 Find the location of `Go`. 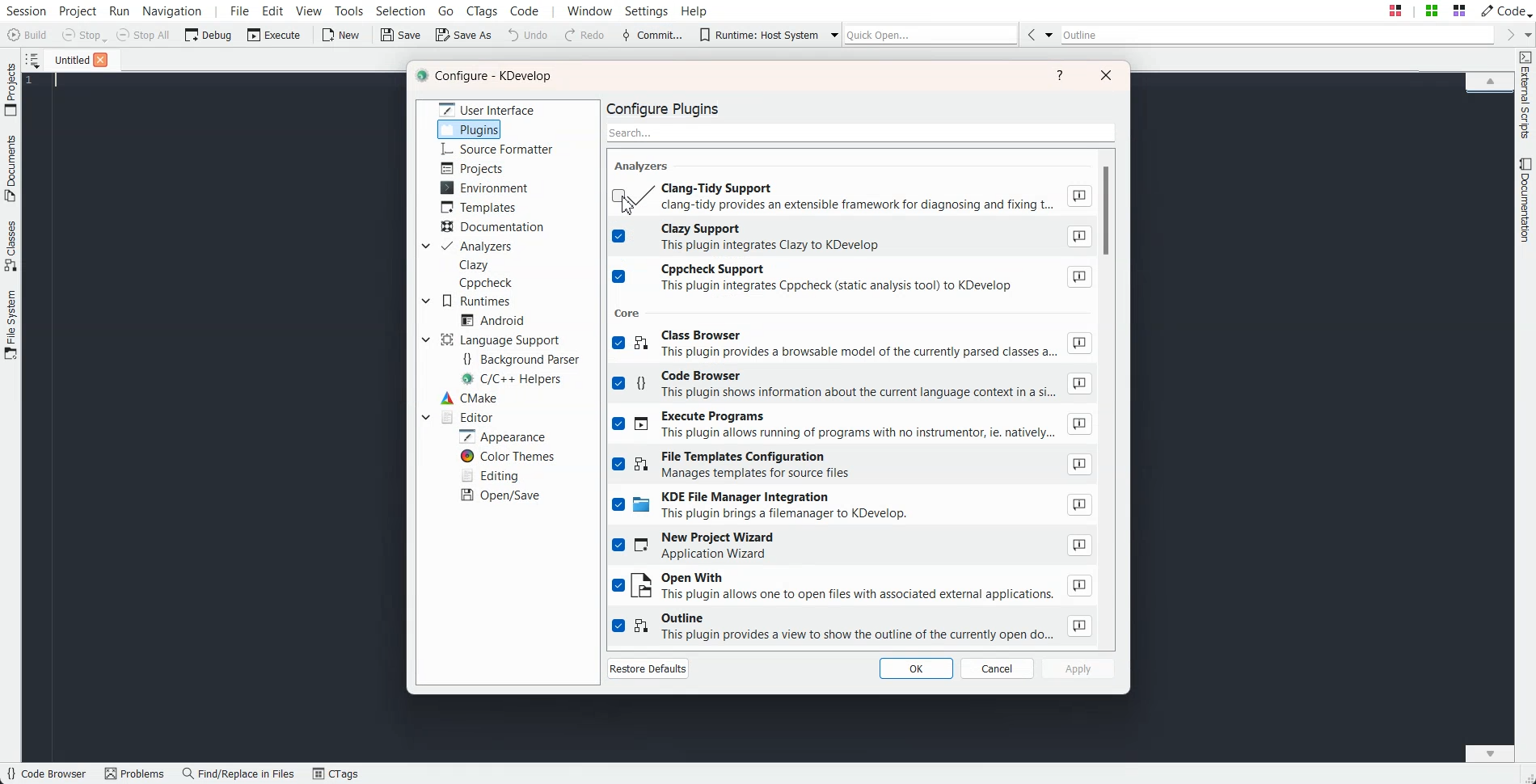

Go is located at coordinates (448, 10).